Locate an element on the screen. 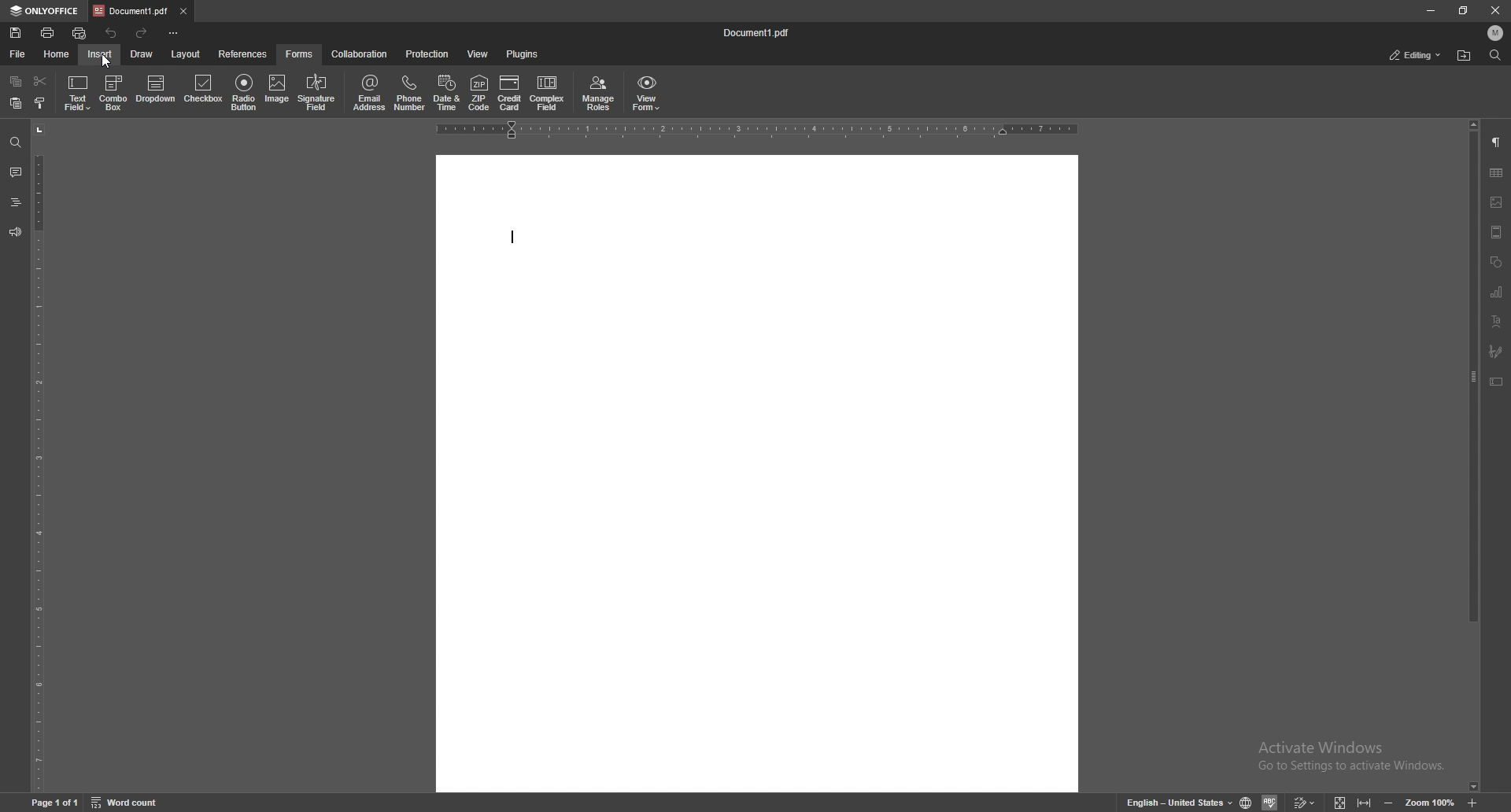 This screenshot has height=812, width=1511. onlyoffice is located at coordinates (47, 12).